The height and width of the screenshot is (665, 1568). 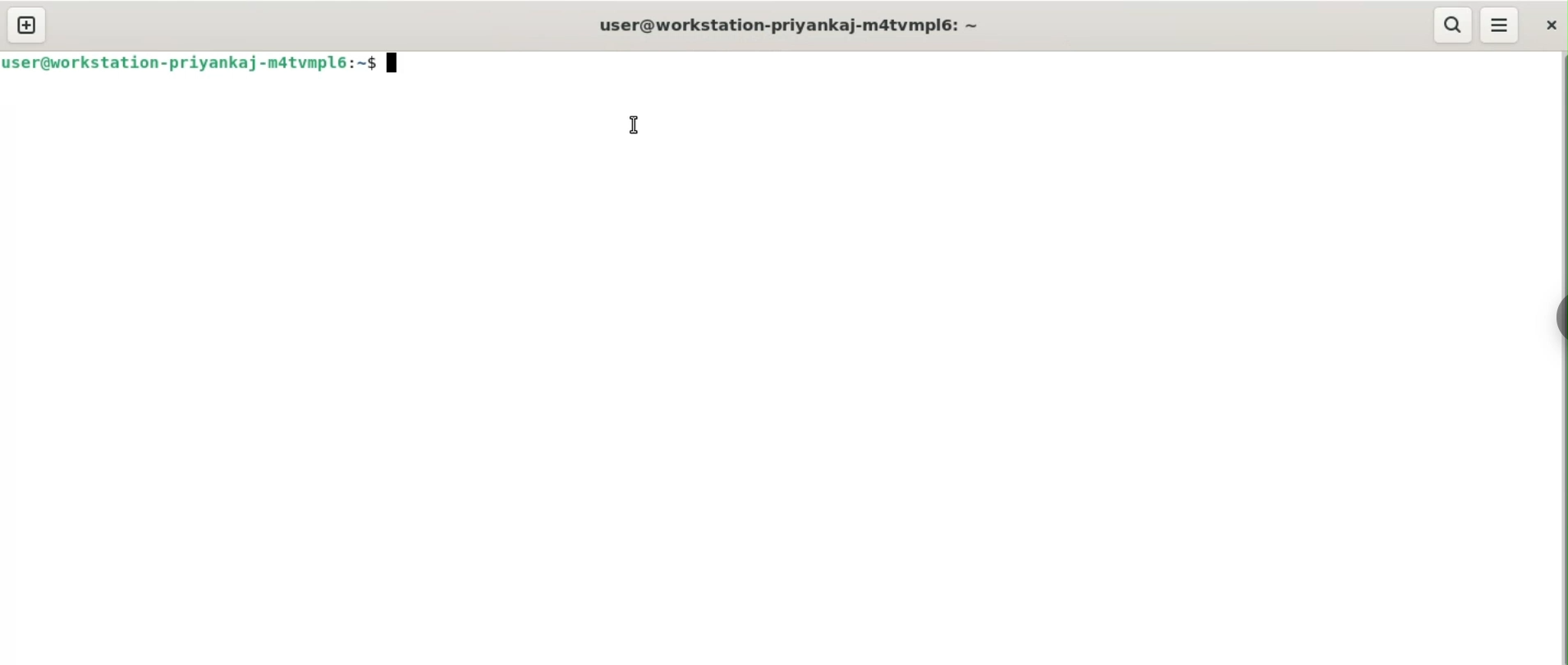 What do you see at coordinates (1501, 25) in the screenshot?
I see `menu` at bounding box center [1501, 25].